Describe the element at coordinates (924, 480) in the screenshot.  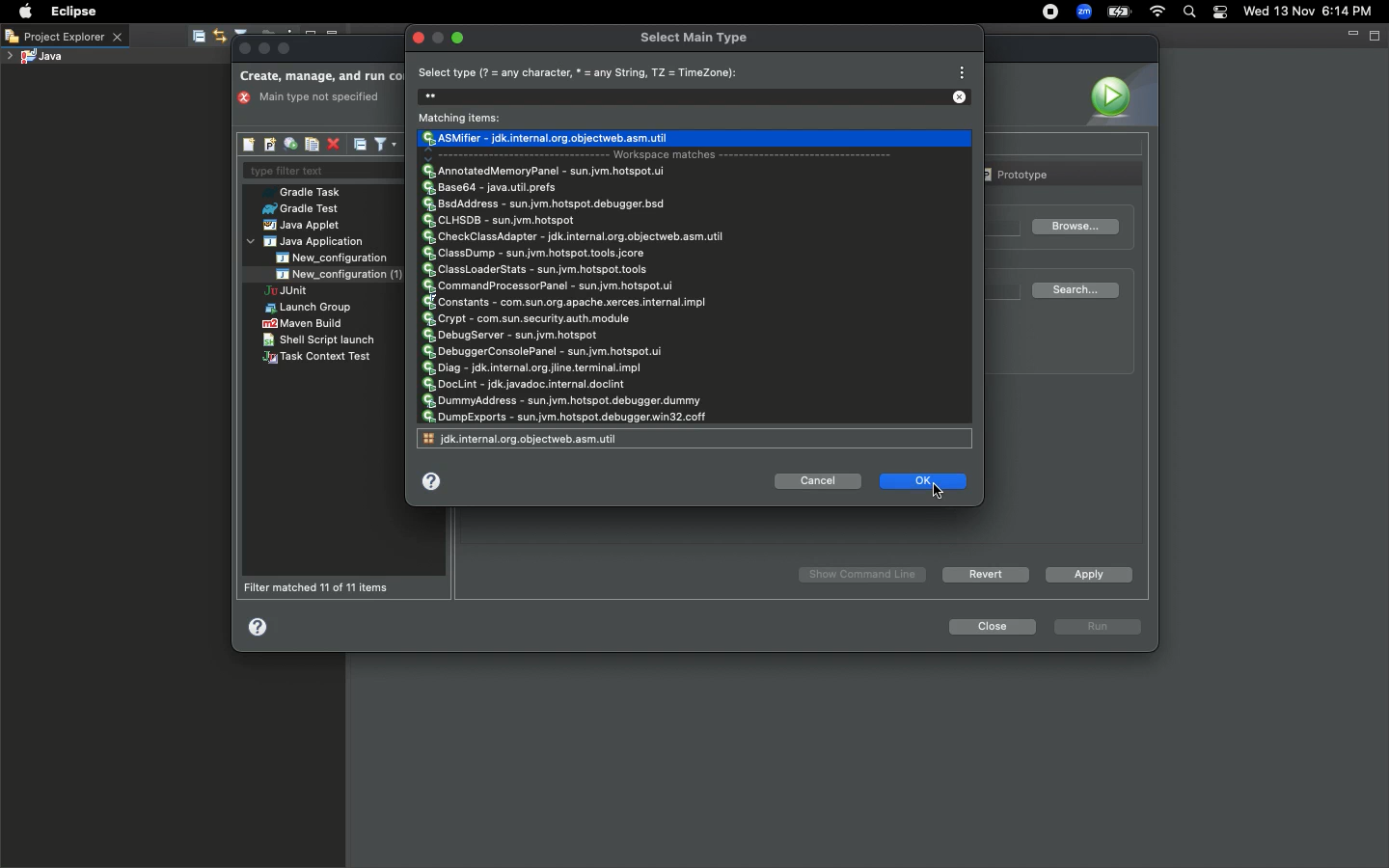
I see `Ok` at that location.